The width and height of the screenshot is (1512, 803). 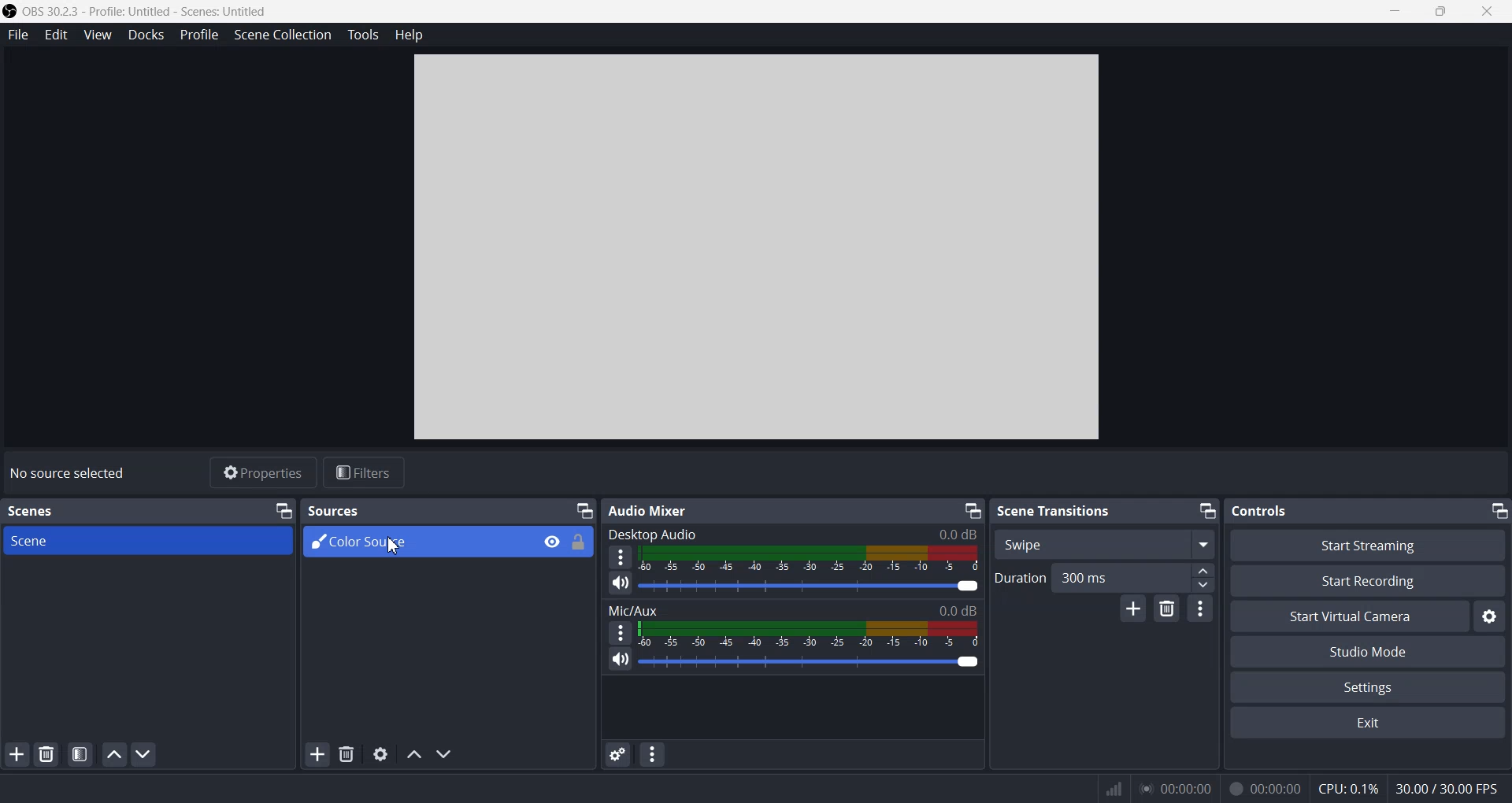 I want to click on 00:00:00, so click(x=1173, y=787).